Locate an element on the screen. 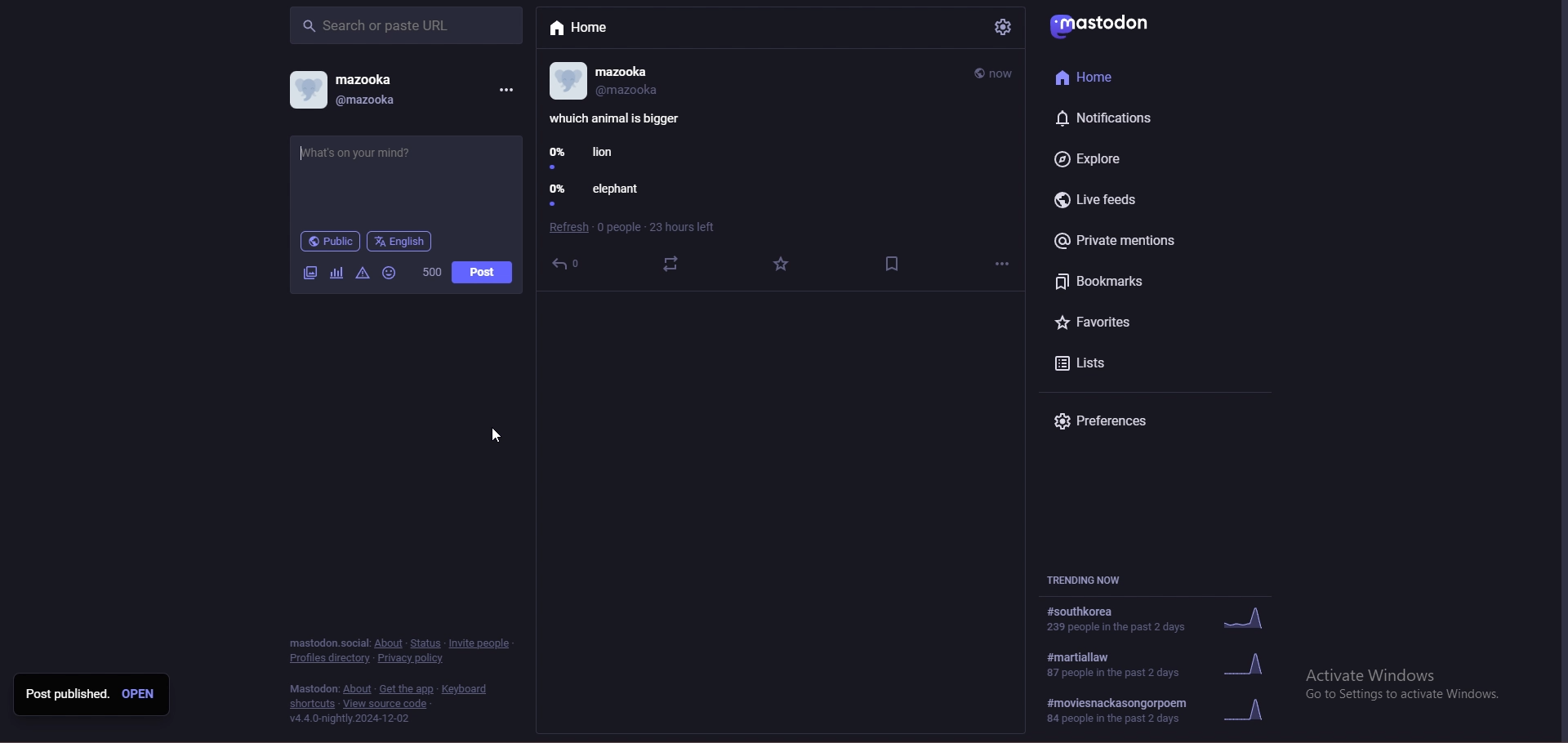 The height and width of the screenshot is (743, 1568). image is located at coordinates (308, 274).